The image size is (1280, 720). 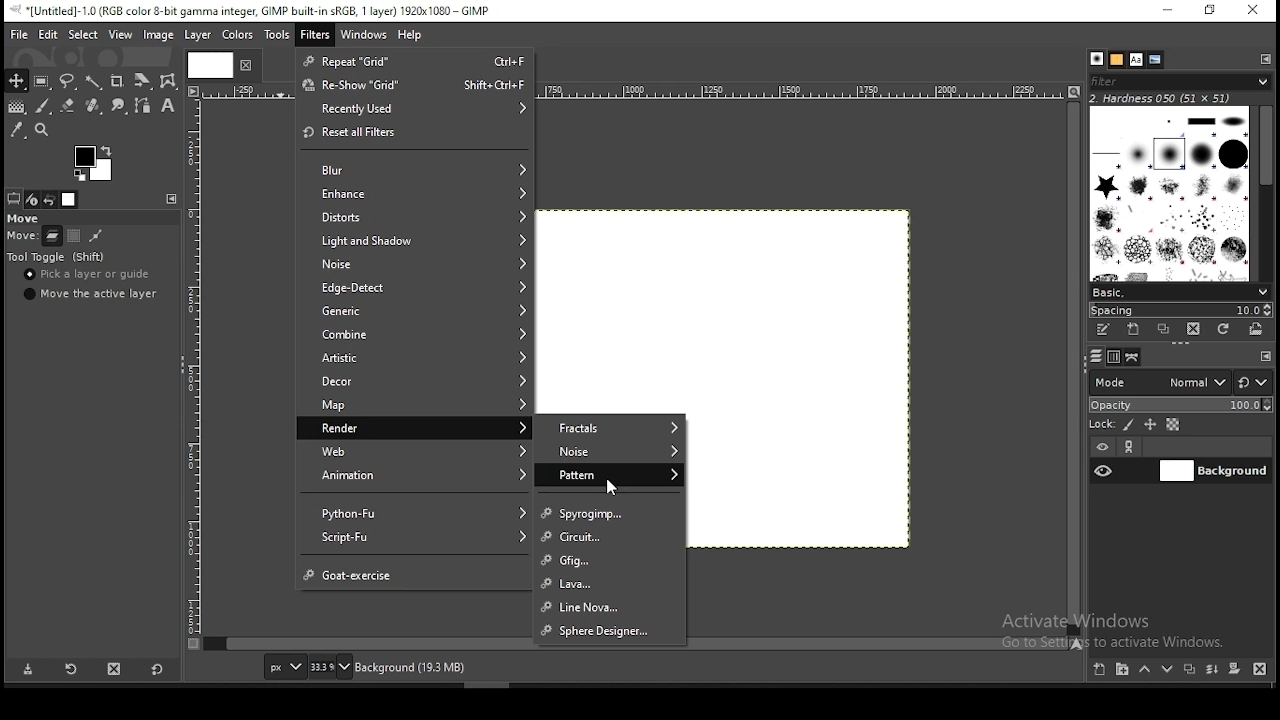 What do you see at coordinates (95, 237) in the screenshot?
I see `move paths` at bounding box center [95, 237].